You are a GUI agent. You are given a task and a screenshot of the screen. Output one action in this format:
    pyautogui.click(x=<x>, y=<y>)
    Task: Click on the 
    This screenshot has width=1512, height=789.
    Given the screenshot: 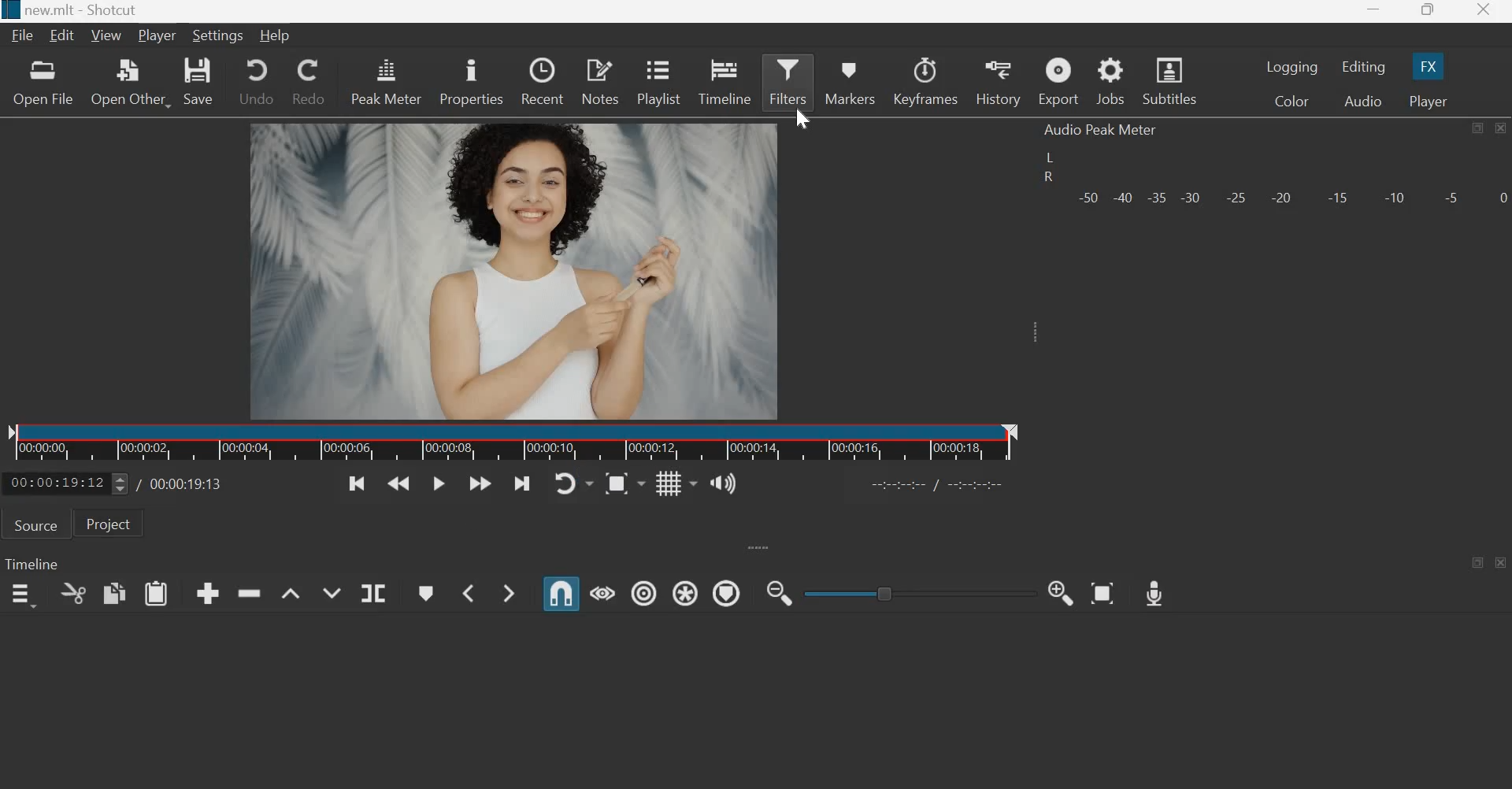 What is the action you would take?
    pyautogui.click(x=9, y=10)
    